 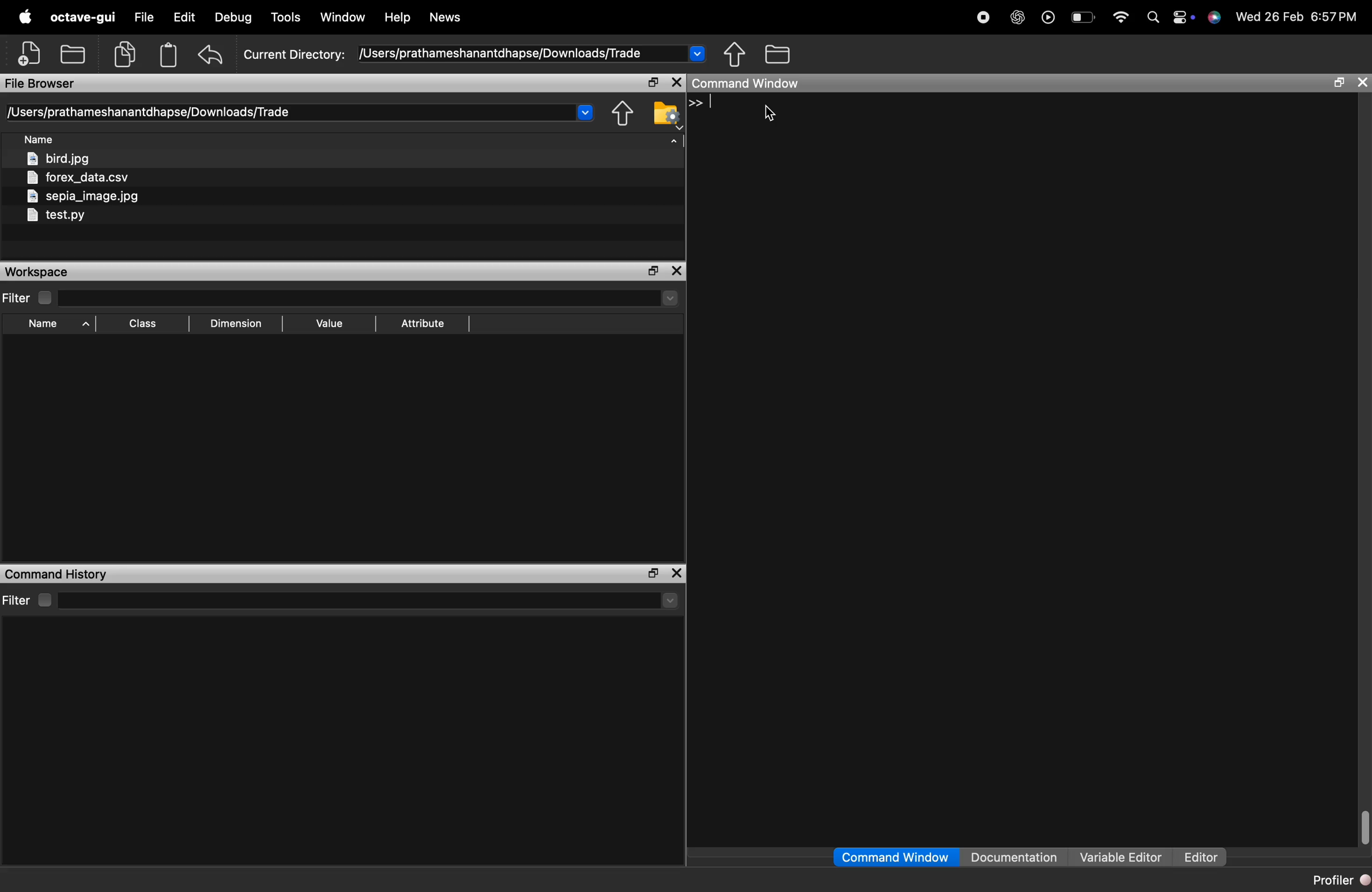 I want to click on command history, so click(x=59, y=575).